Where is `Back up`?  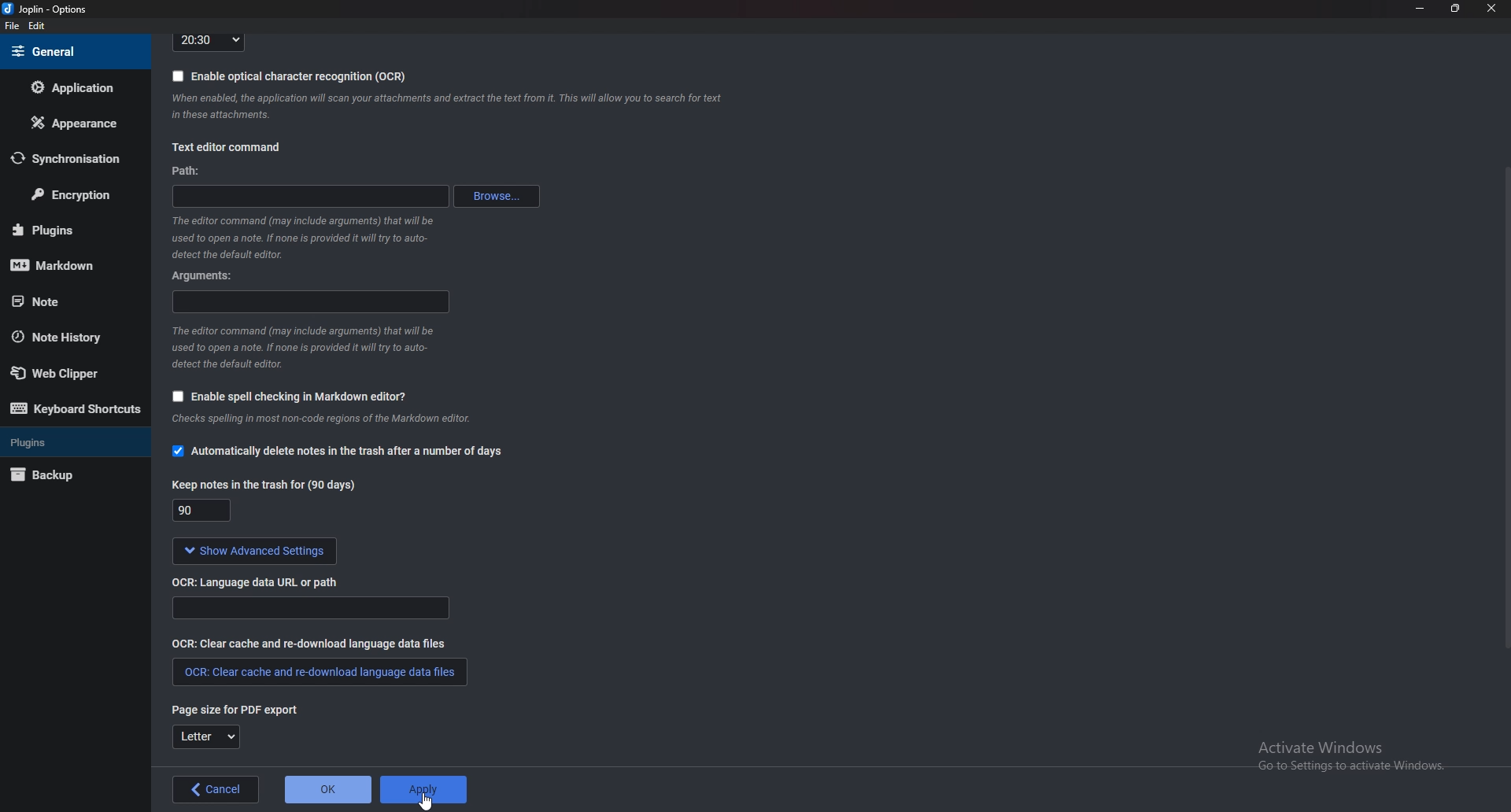 Back up is located at coordinates (66, 477).